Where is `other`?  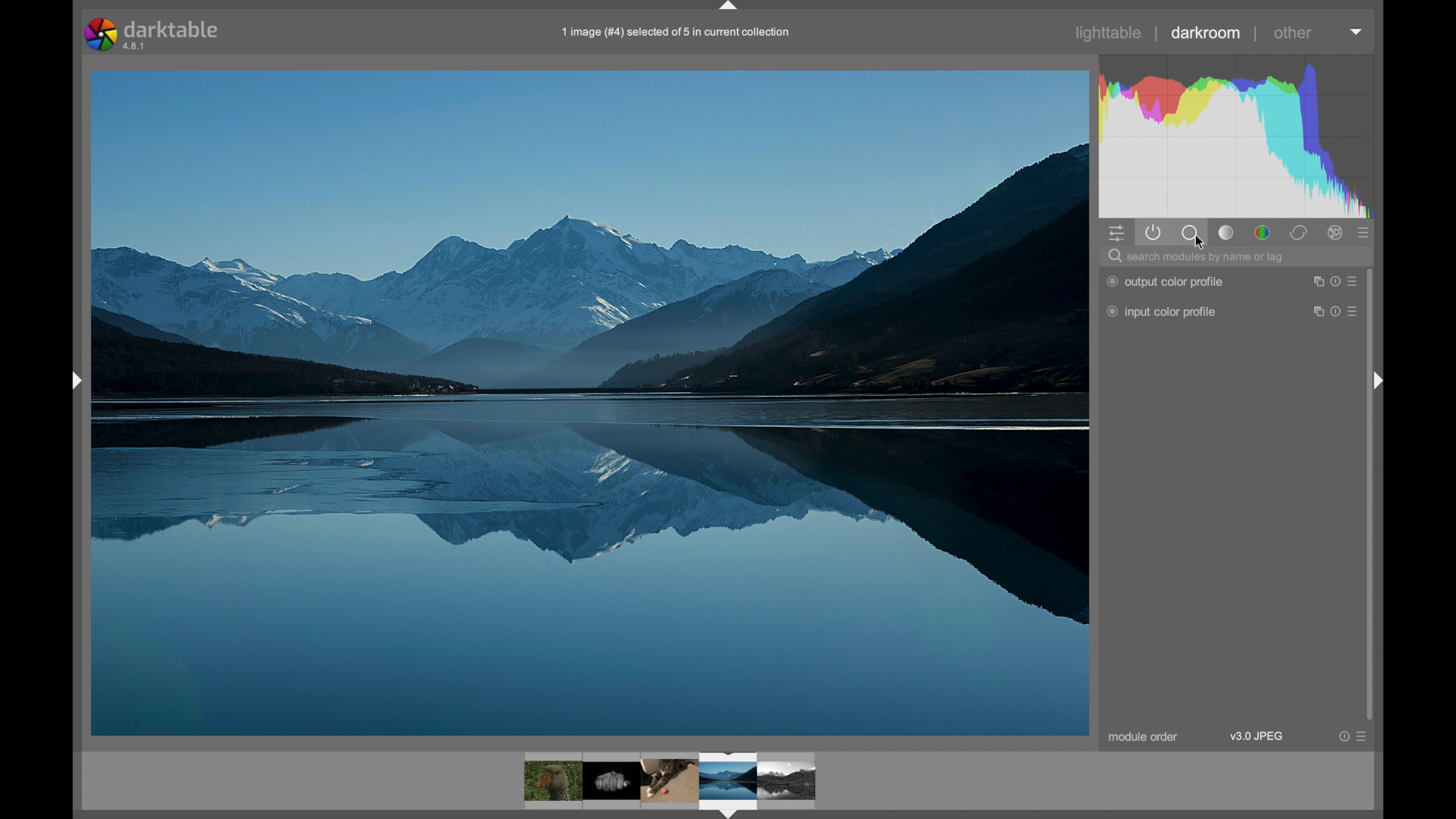
other is located at coordinates (1294, 33).